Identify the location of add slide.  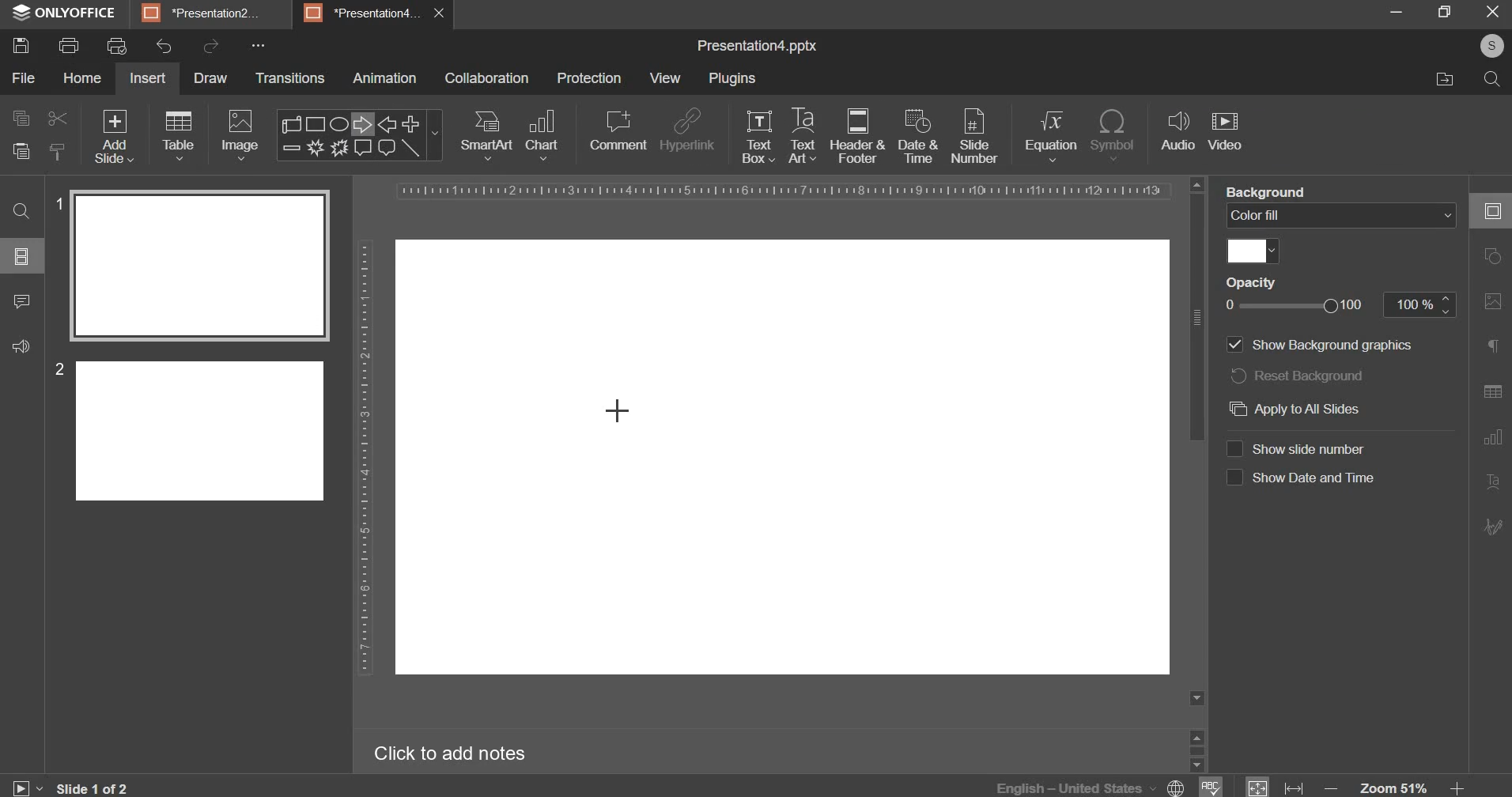
(115, 136).